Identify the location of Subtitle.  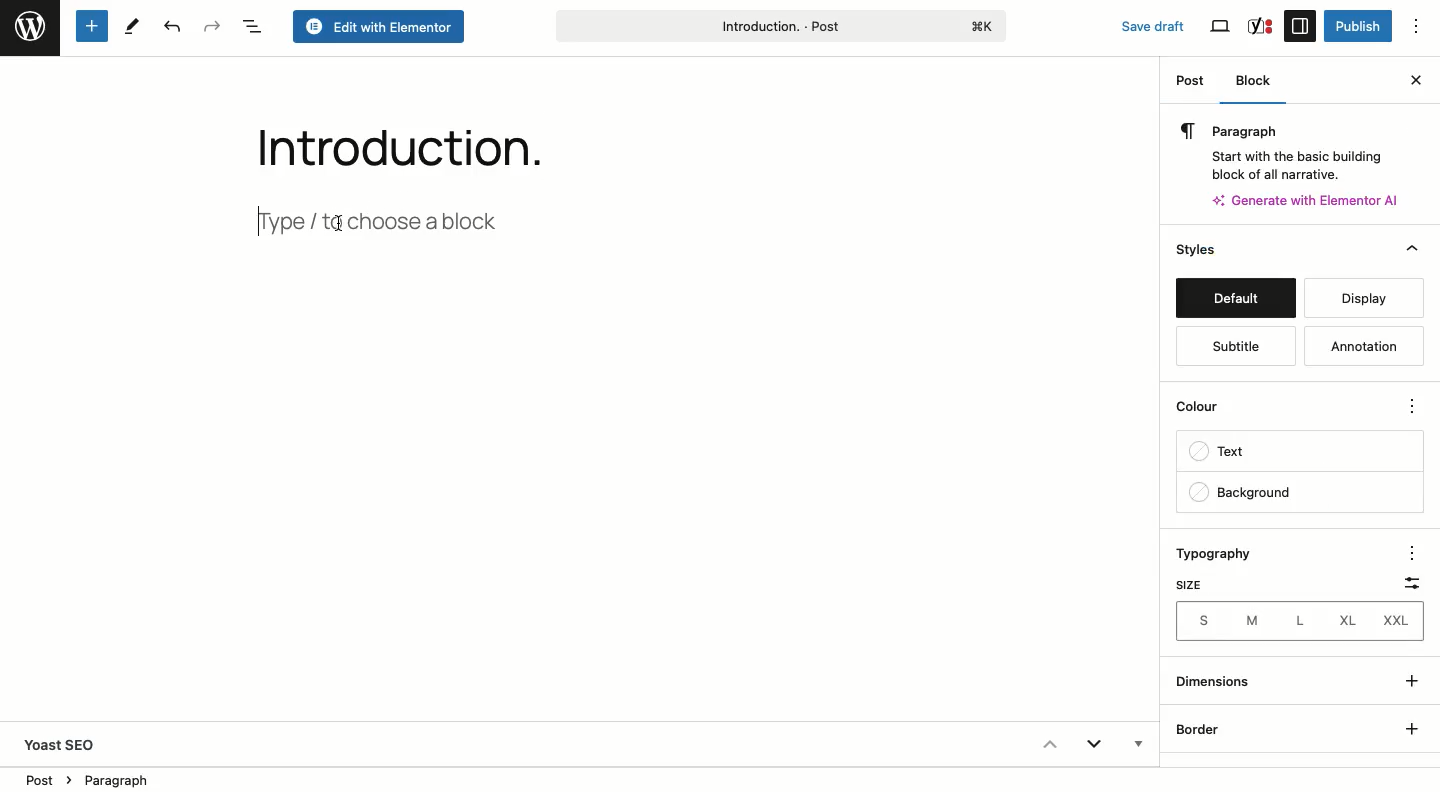
(1232, 347).